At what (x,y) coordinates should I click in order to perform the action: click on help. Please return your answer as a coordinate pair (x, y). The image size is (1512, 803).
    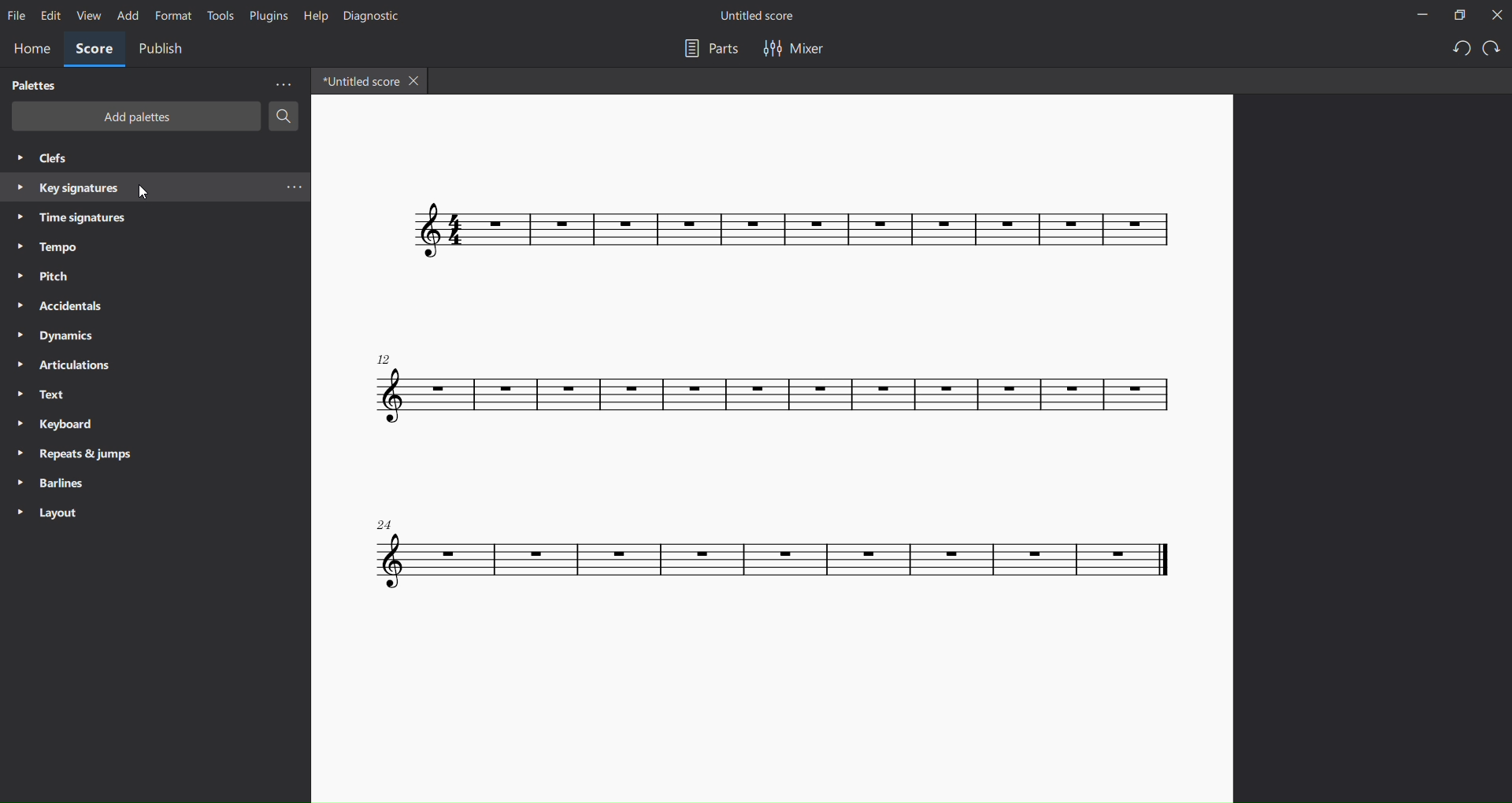
    Looking at the image, I should click on (313, 15).